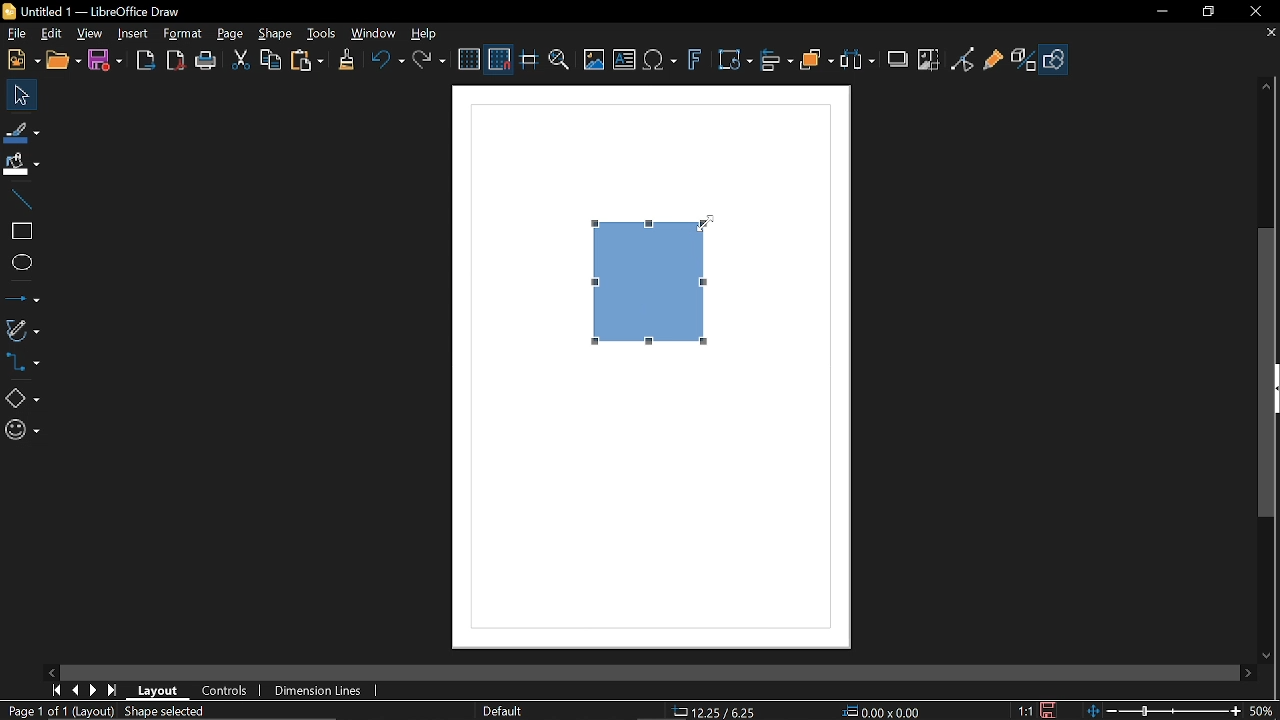 Image resolution: width=1280 pixels, height=720 pixels. Describe the element at coordinates (1206, 13) in the screenshot. I see `Restore down` at that location.